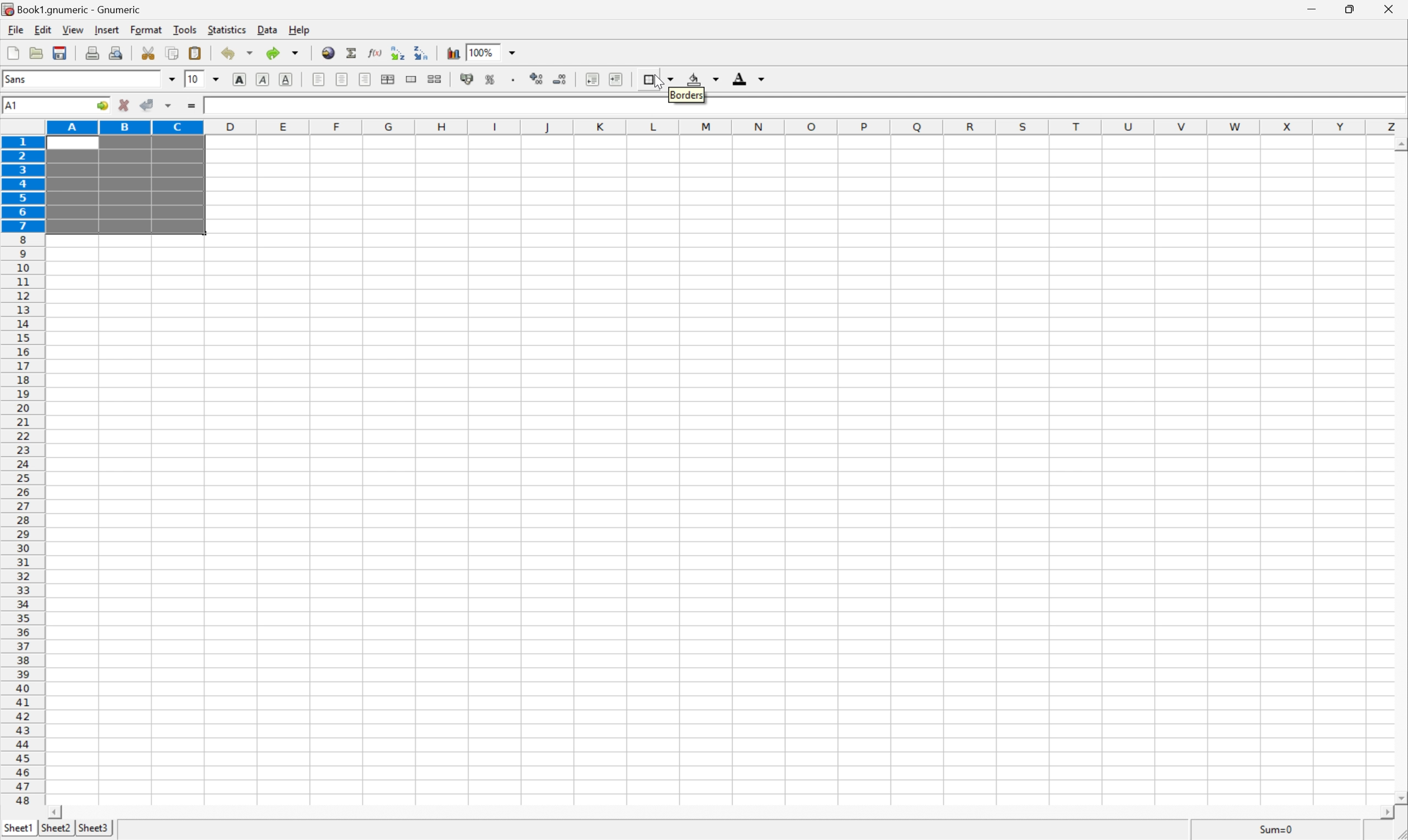  I want to click on Sort the selected region in ascending order based on the first column selected, so click(397, 50).